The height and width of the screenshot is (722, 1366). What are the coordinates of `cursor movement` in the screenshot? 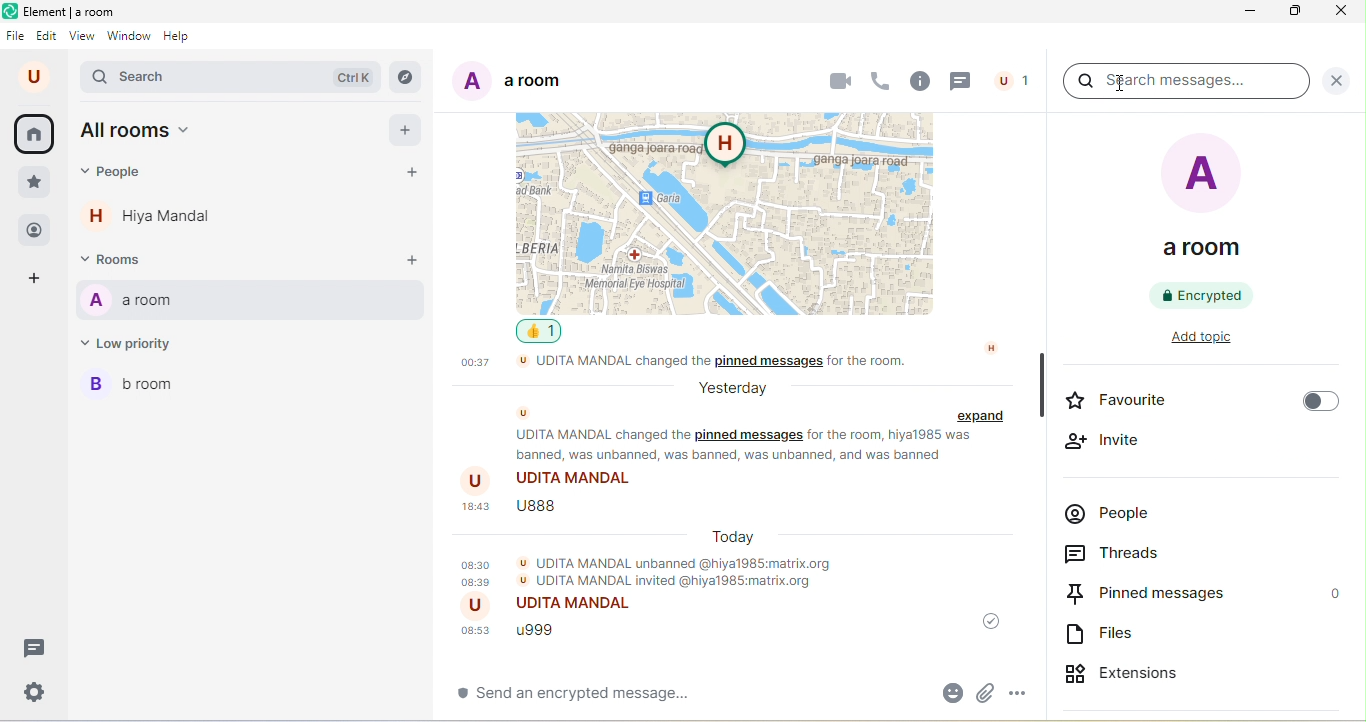 It's located at (1115, 84).